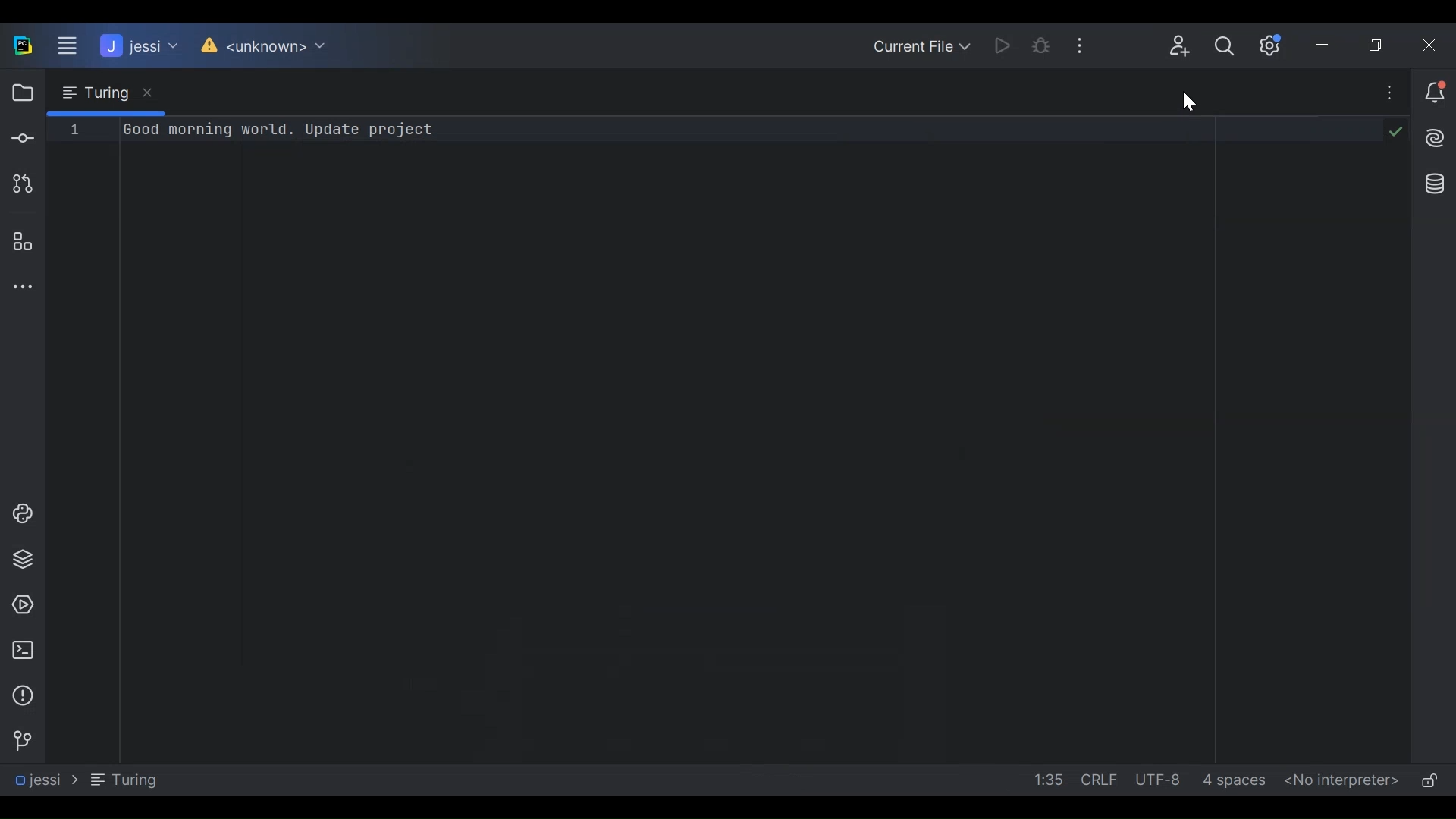 The height and width of the screenshot is (819, 1456). What do you see at coordinates (262, 47) in the screenshot?
I see `unknown` at bounding box center [262, 47].